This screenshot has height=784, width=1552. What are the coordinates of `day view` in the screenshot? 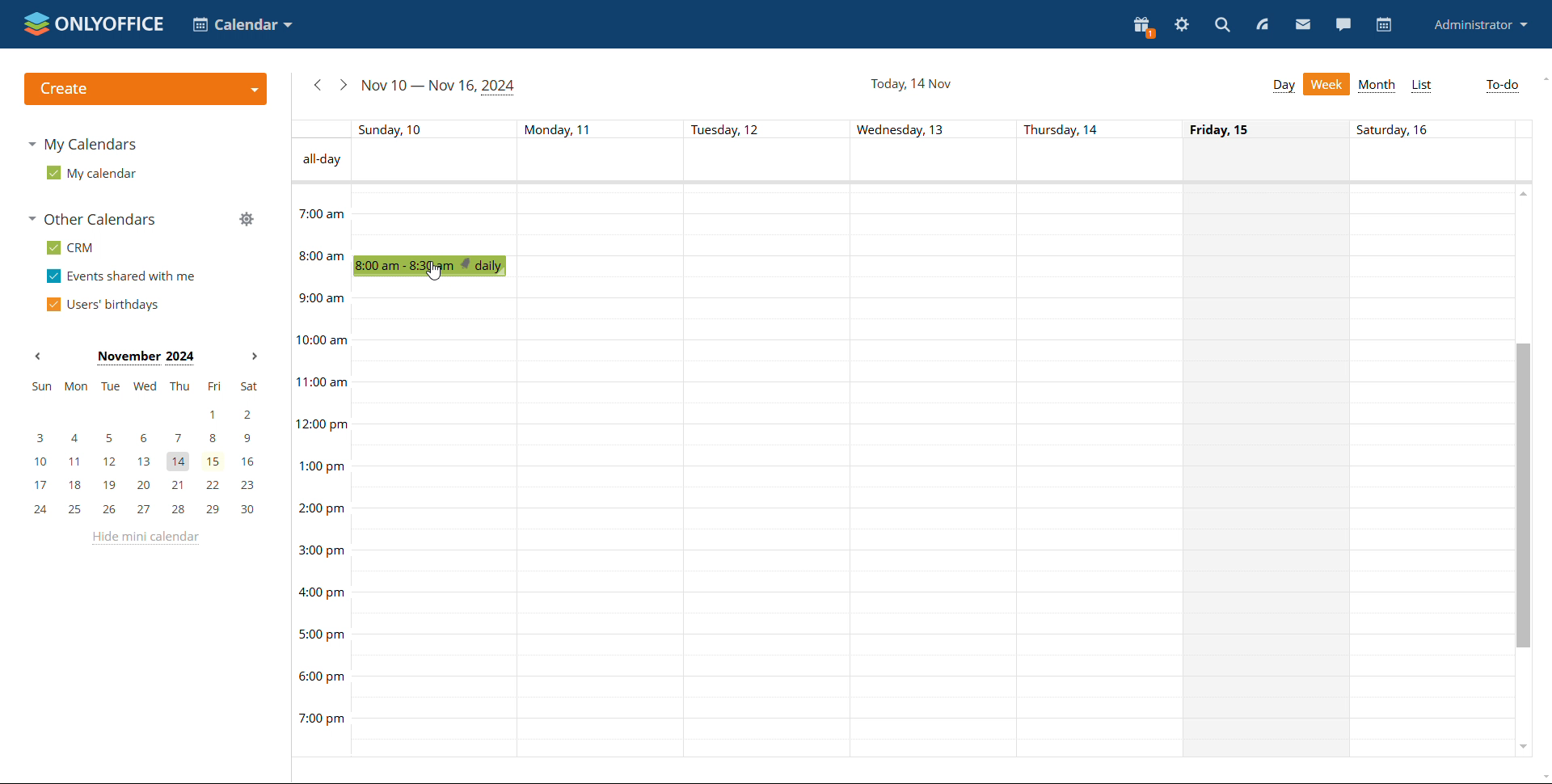 It's located at (1284, 86).